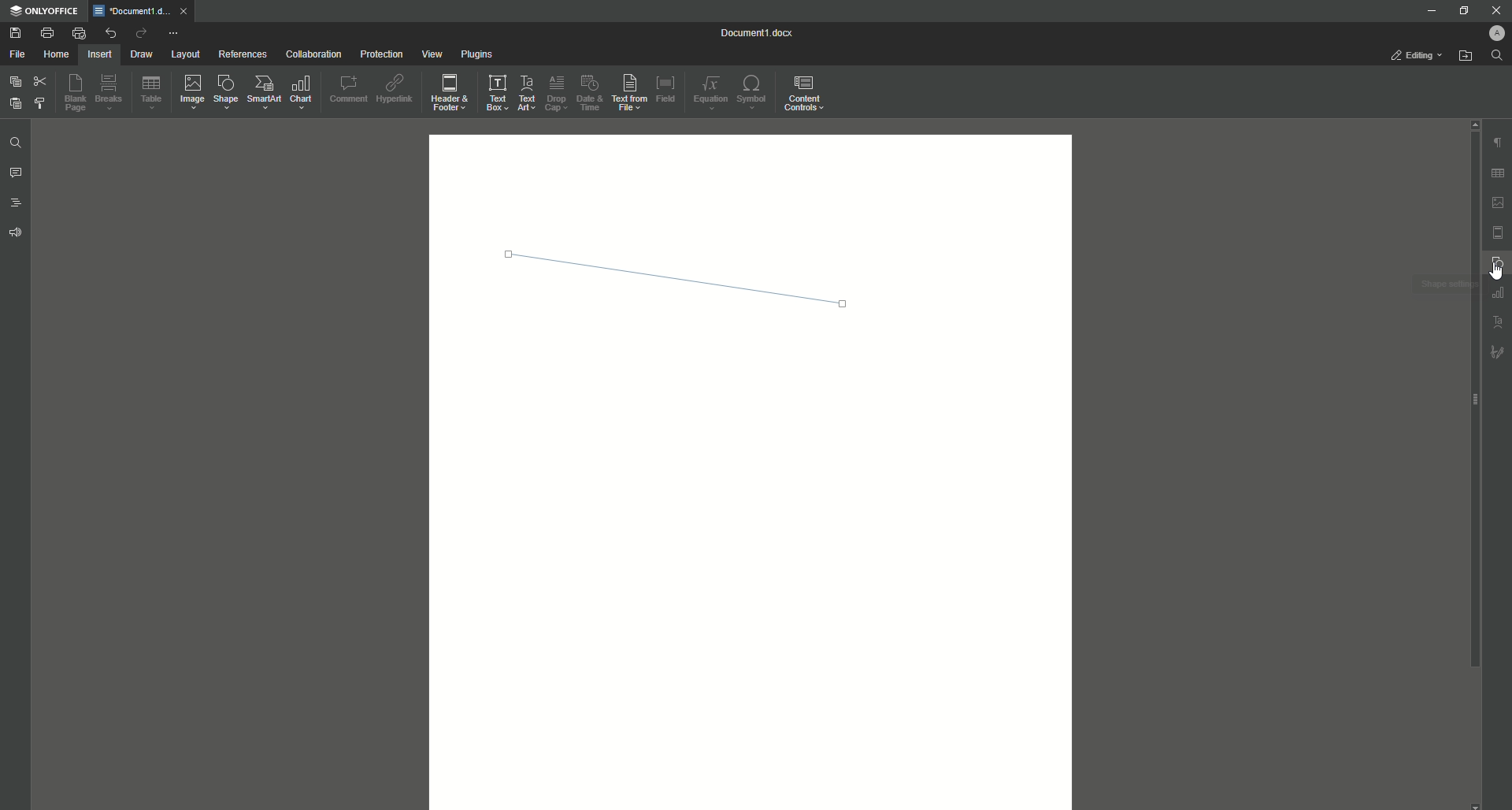 This screenshot has height=810, width=1512. What do you see at coordinates (184, 55) in the screenshot?
I see `Layout` at bounding box center [184, 55].